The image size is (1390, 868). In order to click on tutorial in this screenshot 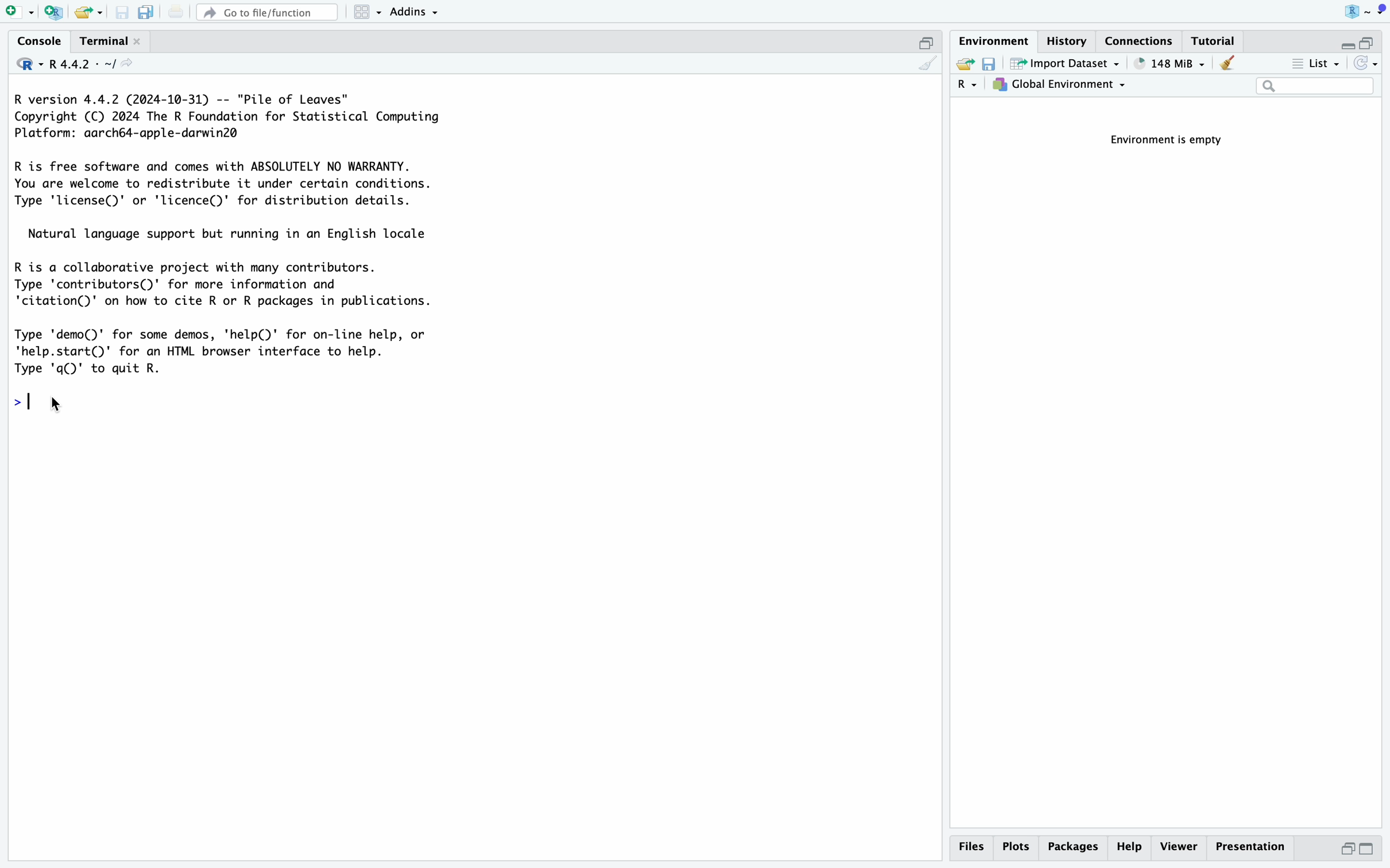, I will do `click(1216, 40)`.